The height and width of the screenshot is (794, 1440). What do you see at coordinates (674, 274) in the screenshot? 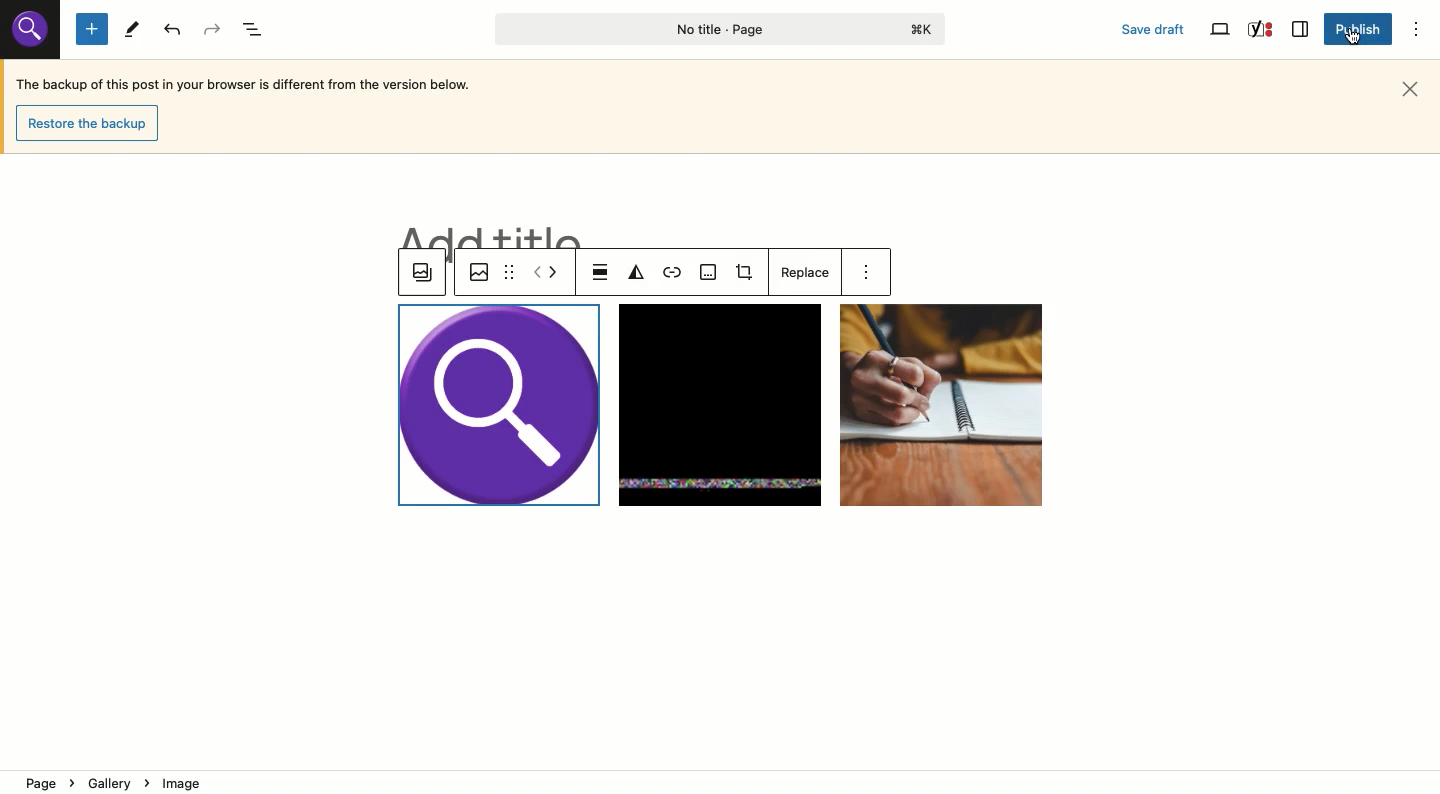
I see `Link` at bounding box center [674, 274].